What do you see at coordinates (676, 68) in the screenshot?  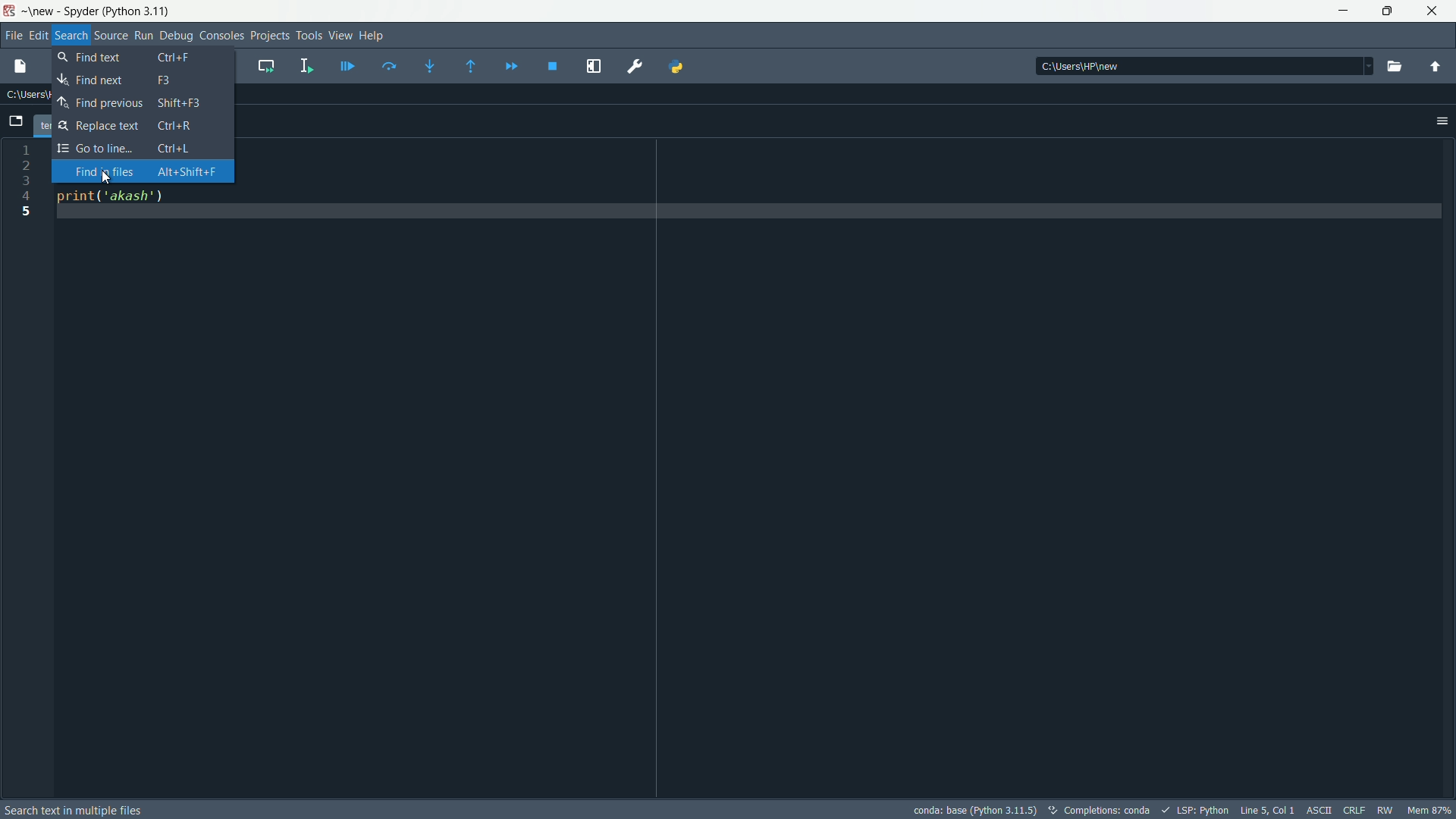 I see `pythonpath manager` at bounding box center [676, 68].